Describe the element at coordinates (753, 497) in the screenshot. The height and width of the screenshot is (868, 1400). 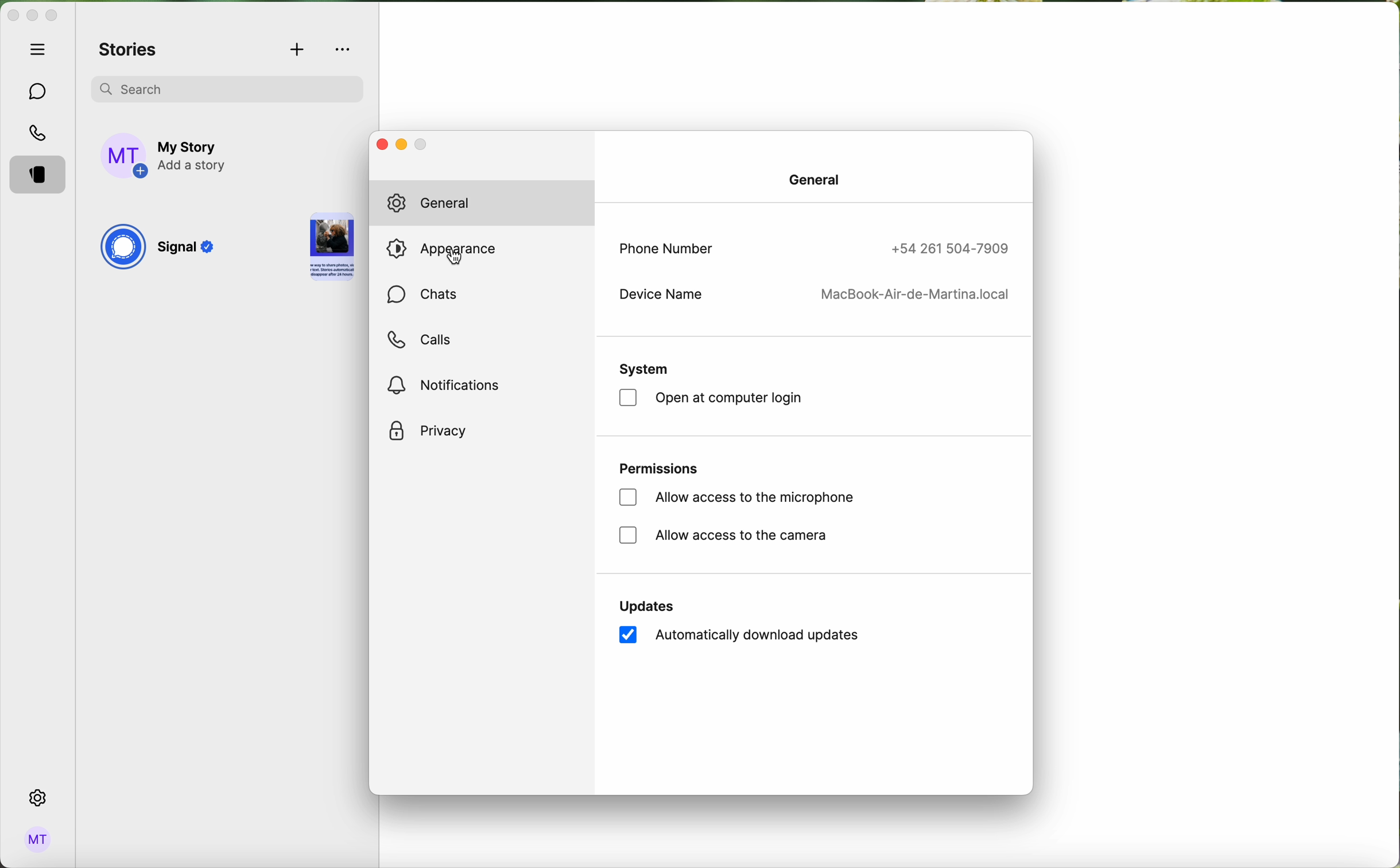
I see `allow access to the microphone` at that location.